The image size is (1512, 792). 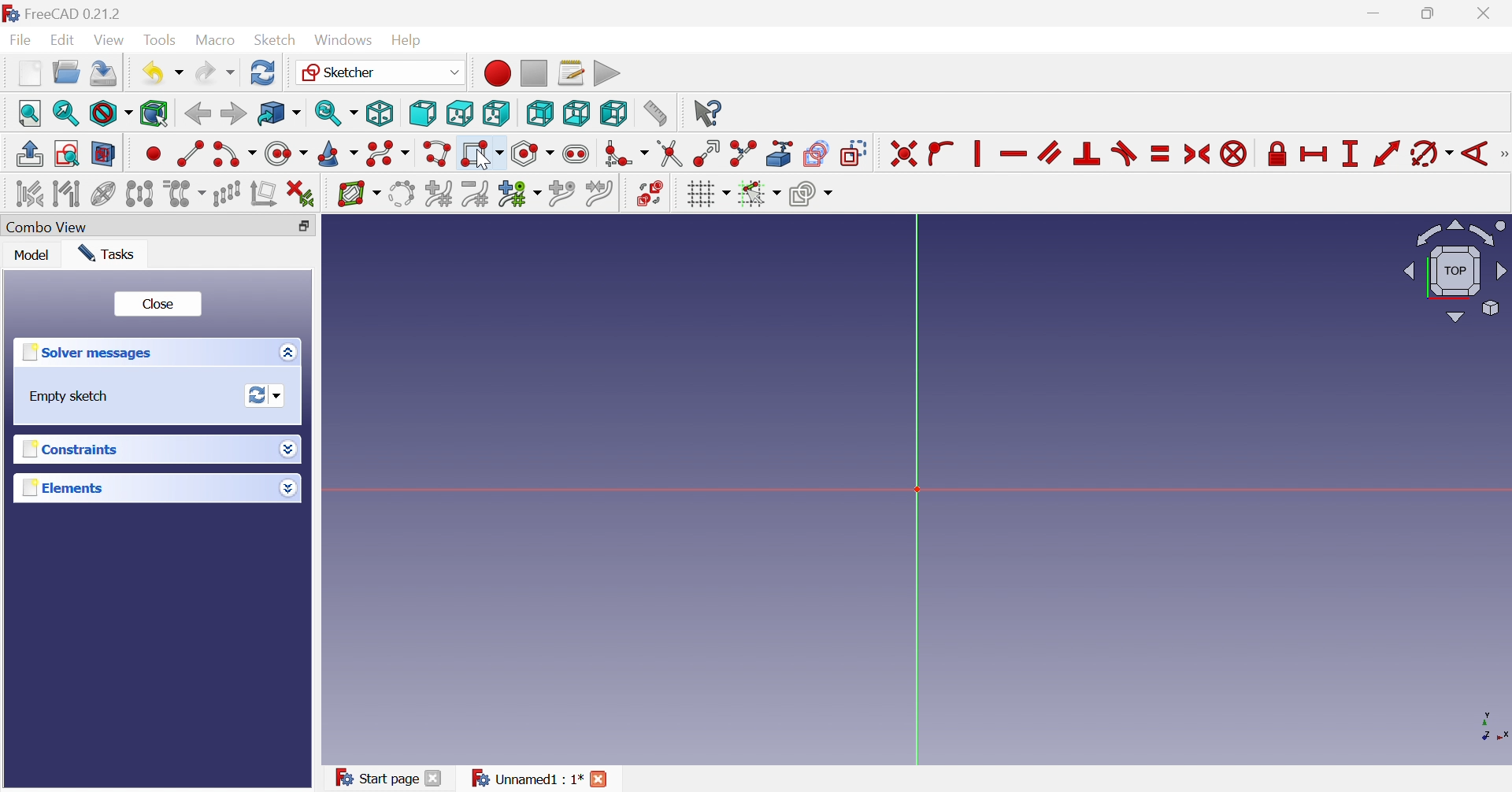 I want to click on Create arc, so click(x=234, y=154).